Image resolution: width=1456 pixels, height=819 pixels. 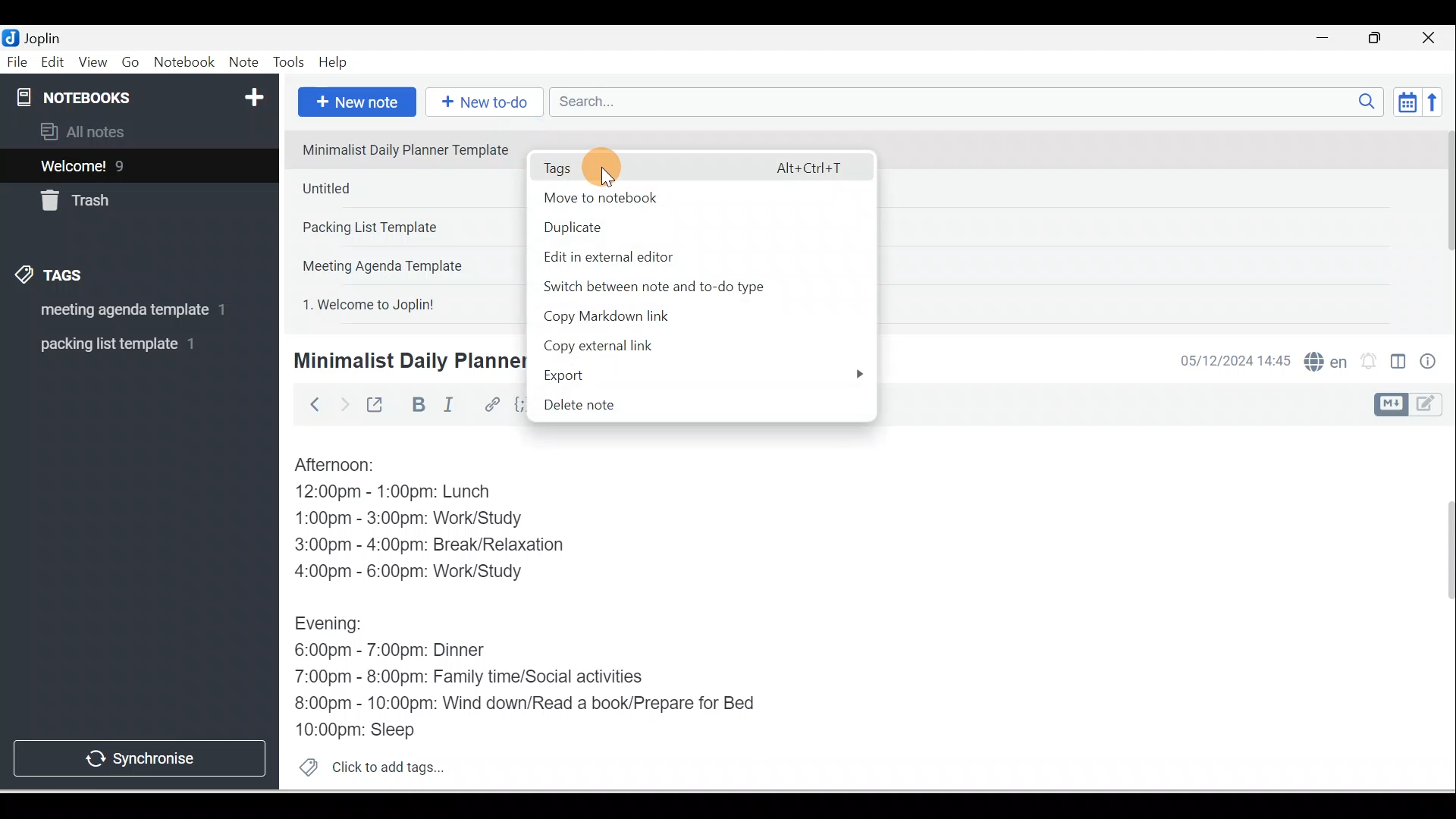 What do you see at coordinates (308, 404) in the screenshot?
I see `Back` at bounding box center [308, 404].